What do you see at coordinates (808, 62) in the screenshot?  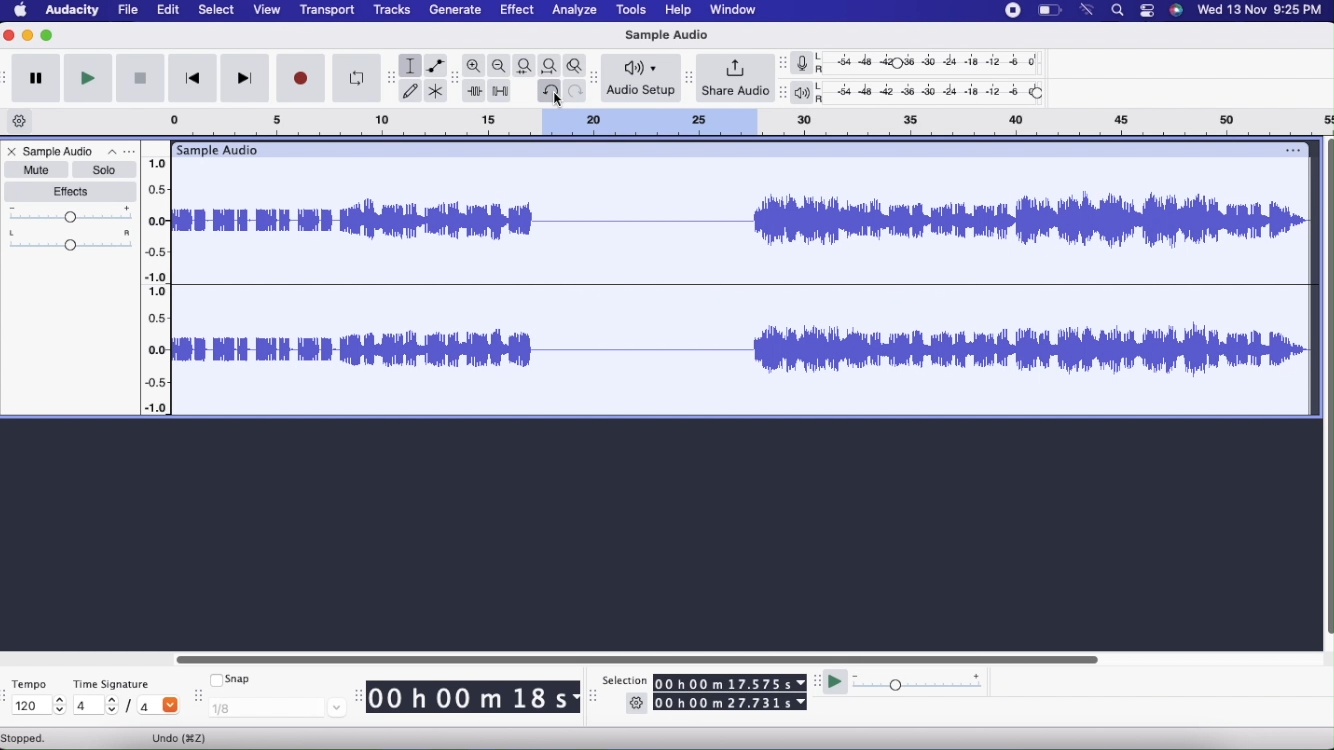 I see `Record meter` at bounding box center [808, 62].